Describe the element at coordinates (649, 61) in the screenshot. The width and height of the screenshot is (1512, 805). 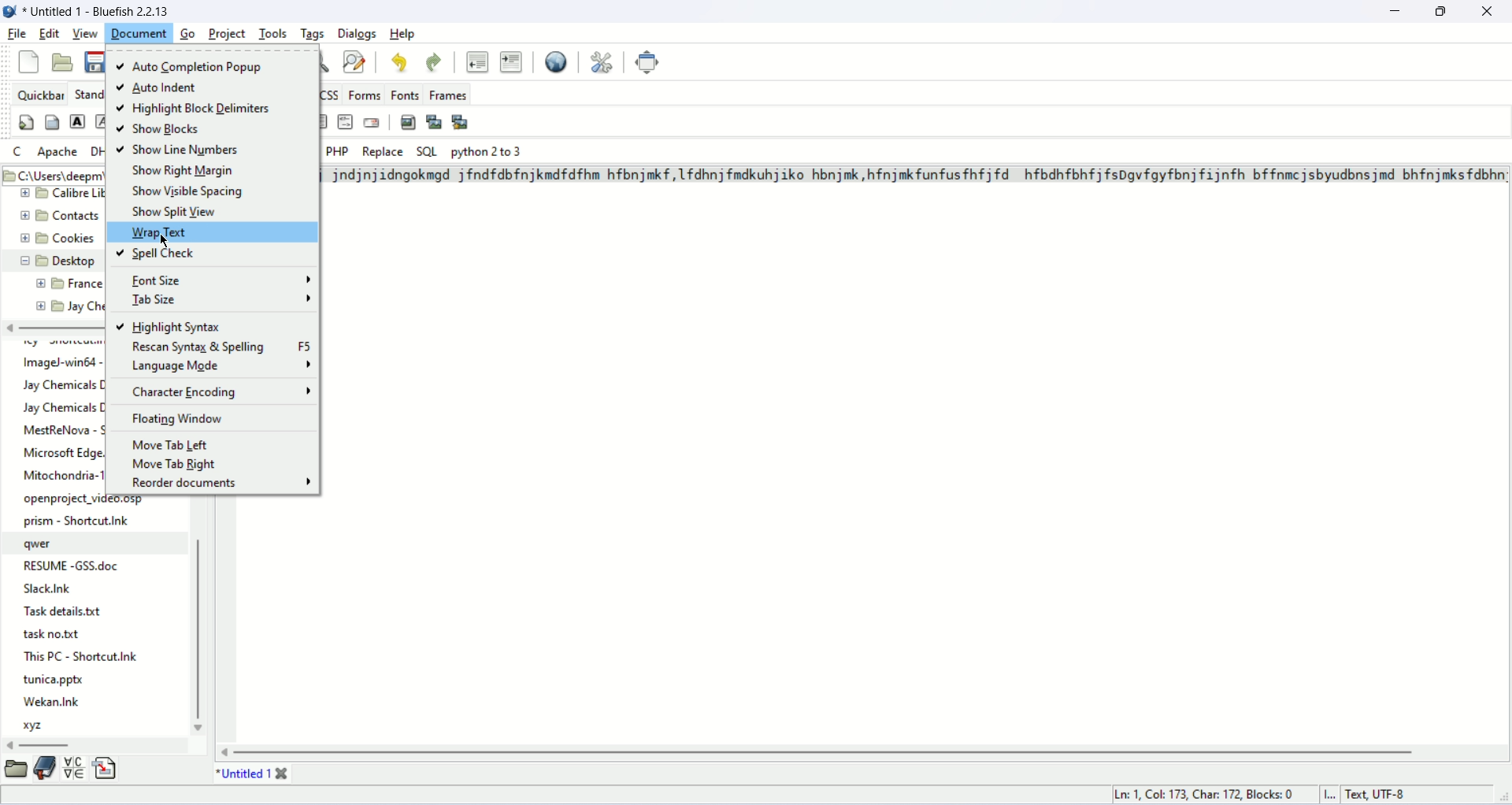
I see `fullscreen` at that location.